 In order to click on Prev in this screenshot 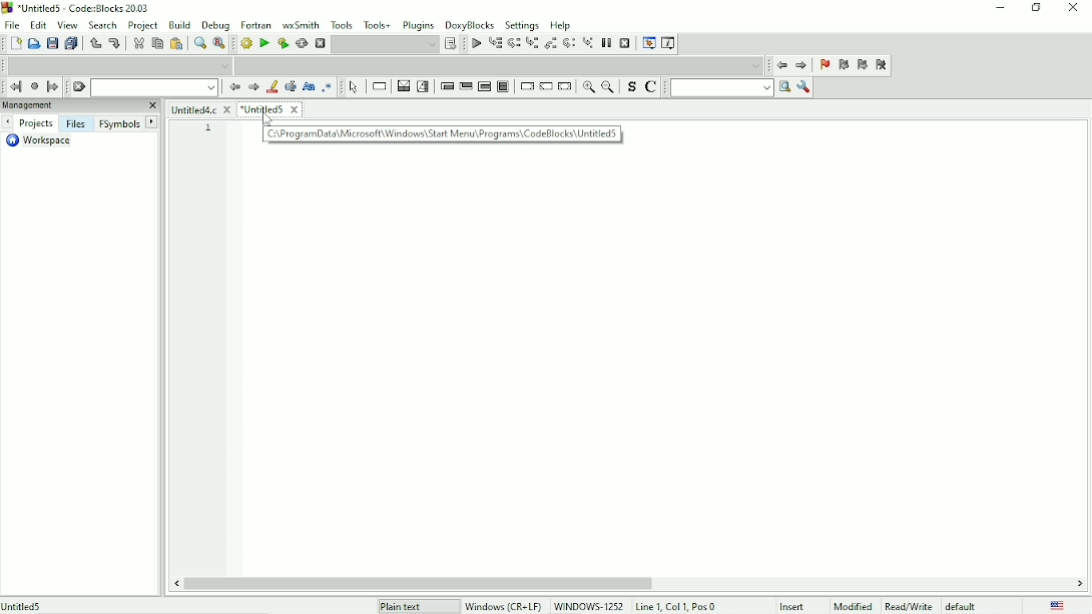, I will do `click(8, 123)`.